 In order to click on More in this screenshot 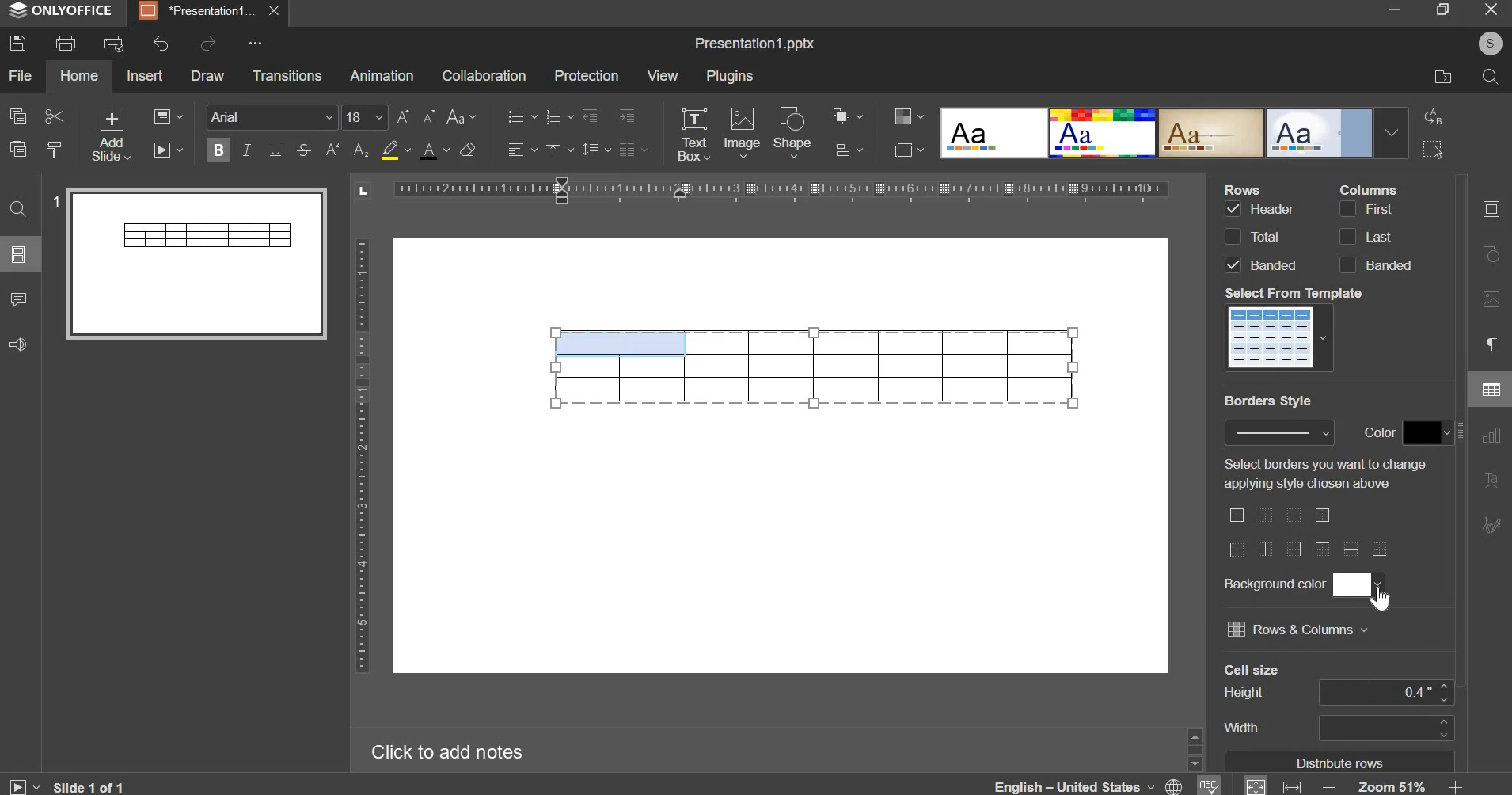, I will do `click(253, 44)`.